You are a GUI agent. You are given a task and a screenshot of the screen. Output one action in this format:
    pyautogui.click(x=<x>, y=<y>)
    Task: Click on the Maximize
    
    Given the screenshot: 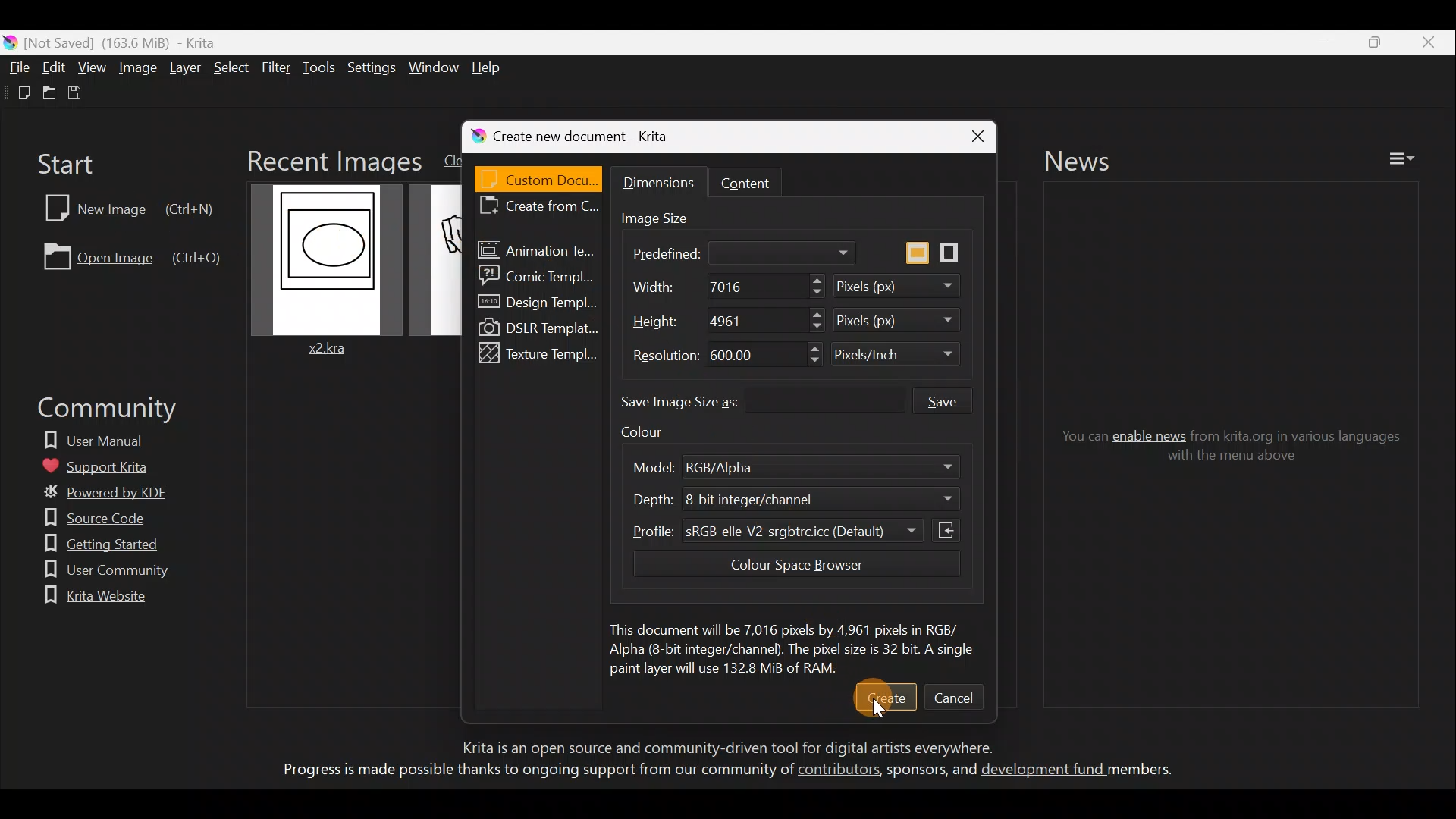 What is the action you would take?
    pyautogui.click(x=1370, y=41)
    